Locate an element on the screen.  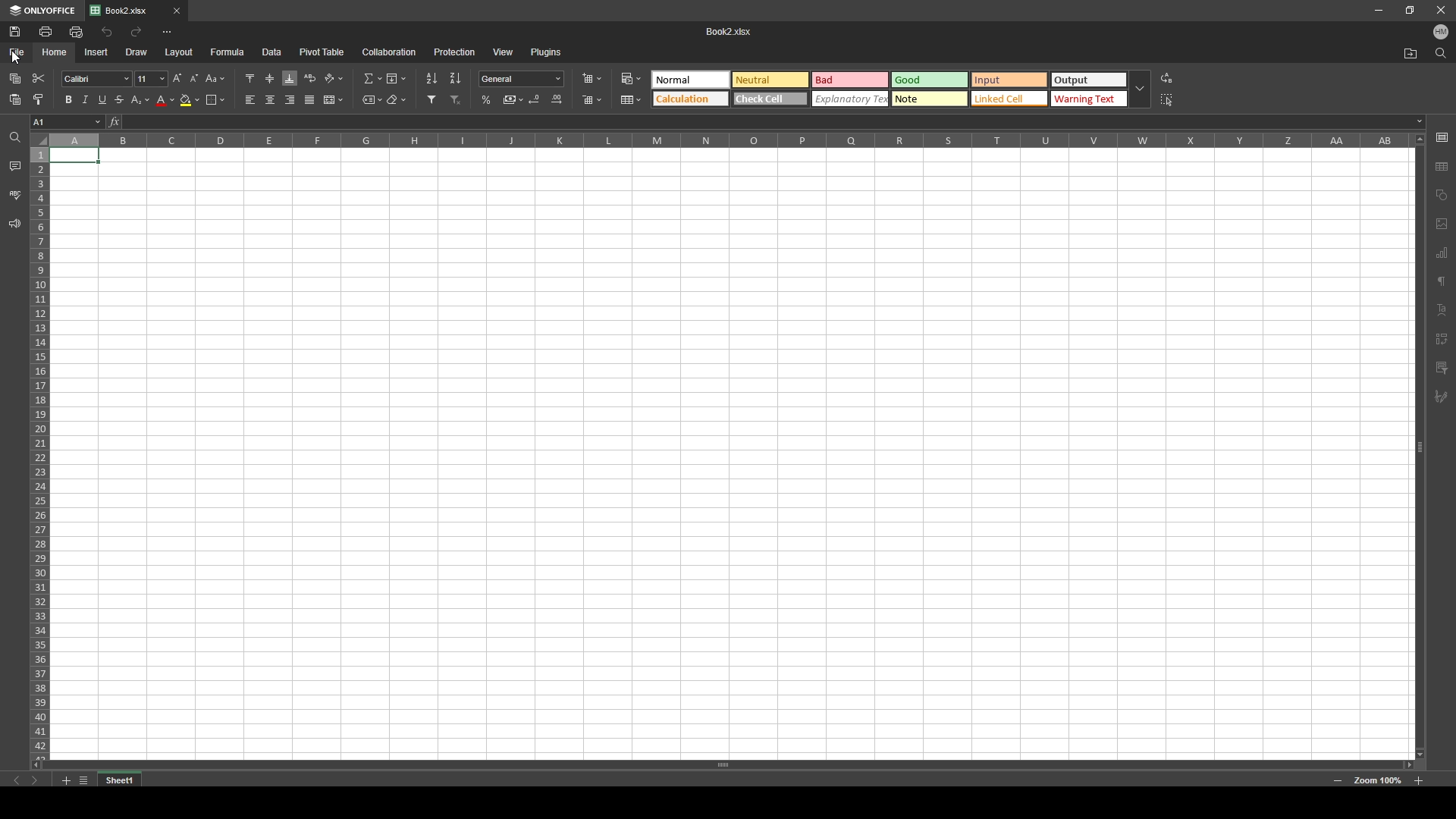
Book2.xlsx is located at coordinates (126, 11).